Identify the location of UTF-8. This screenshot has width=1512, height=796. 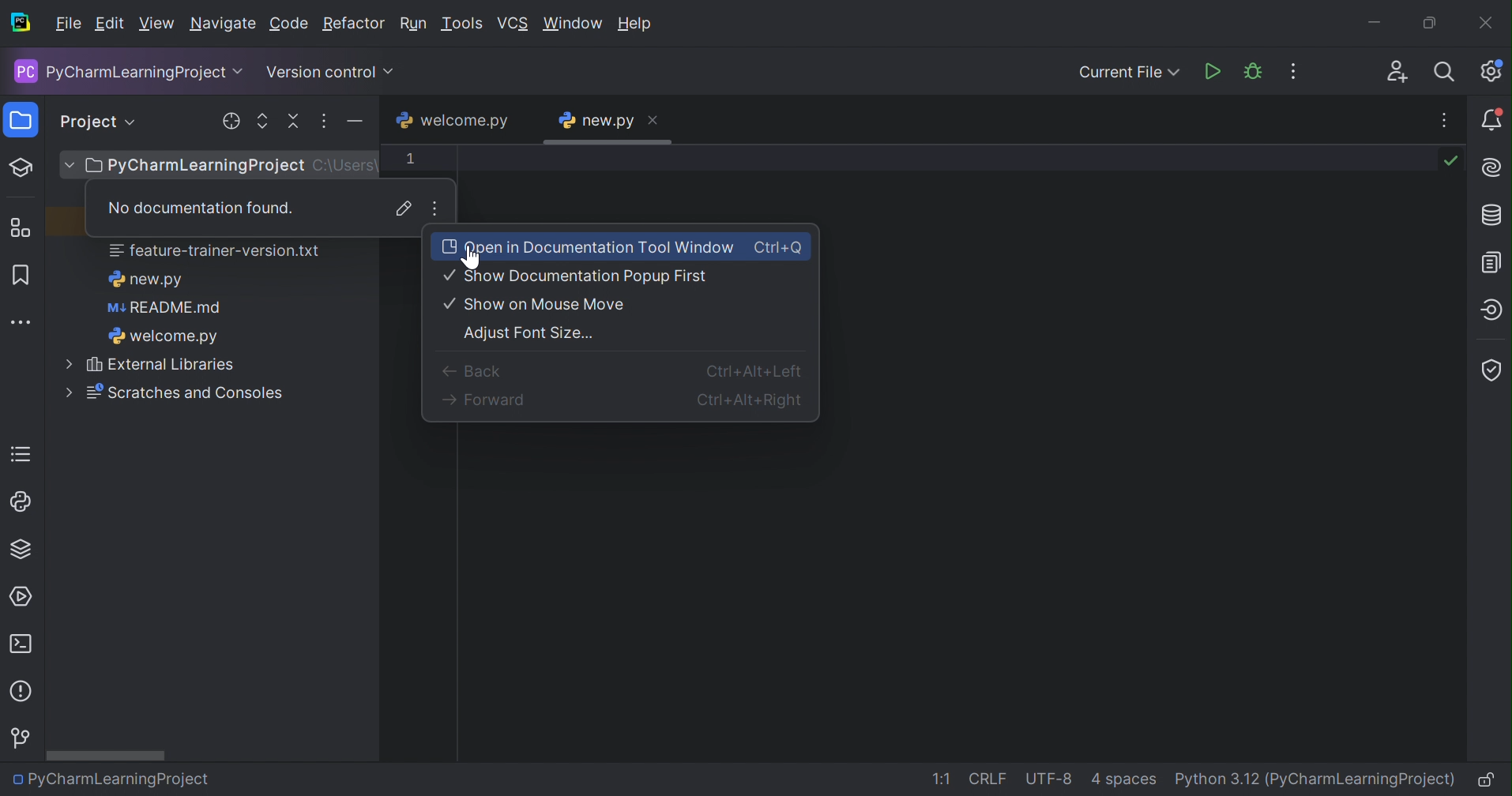
(1053, 777).